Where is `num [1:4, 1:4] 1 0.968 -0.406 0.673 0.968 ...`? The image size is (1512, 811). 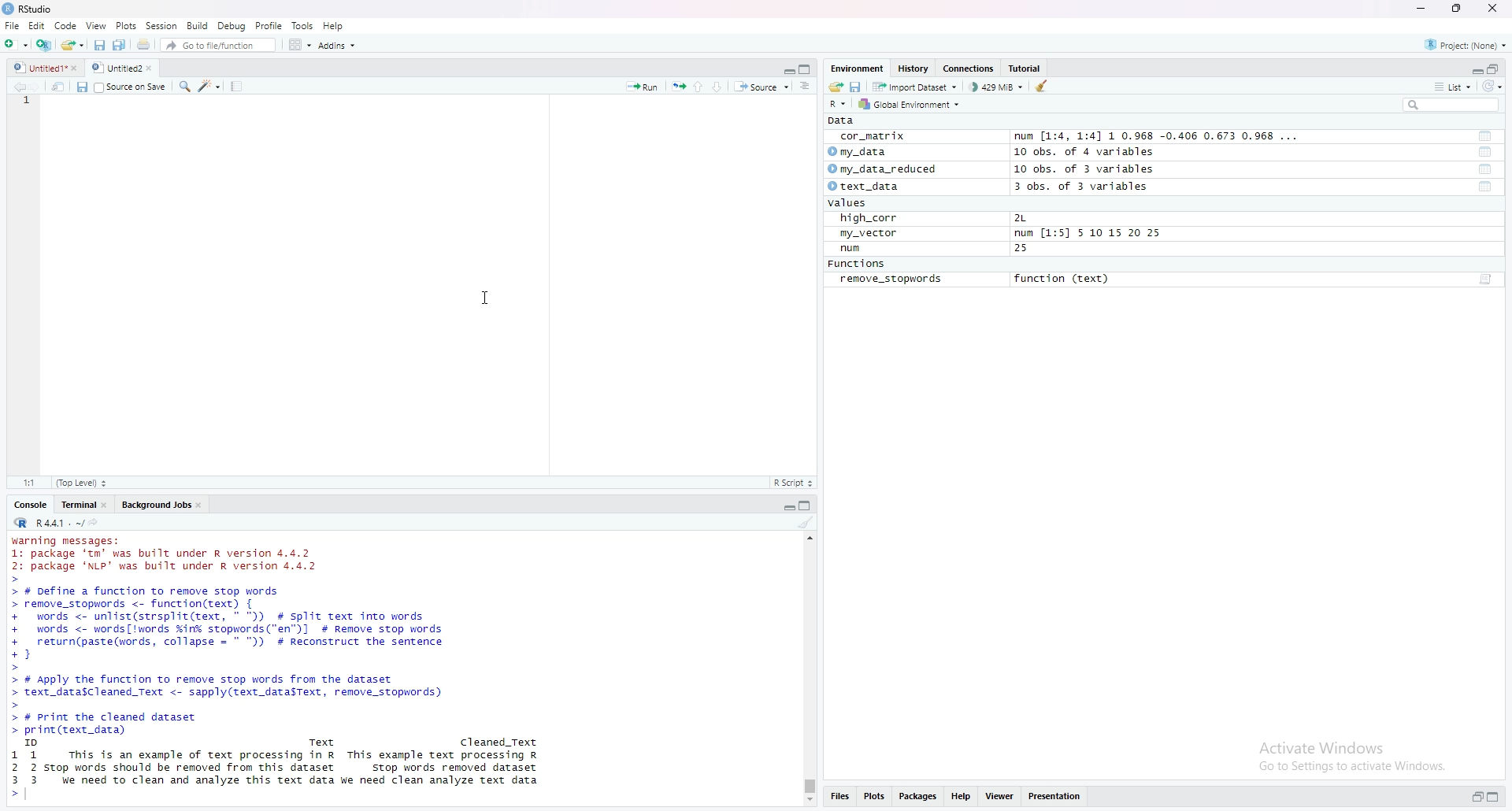 num [1:4, 1:4] 1 0.968 -0.406 0.673 0.968 ... is located at coordinates (1158, 135).